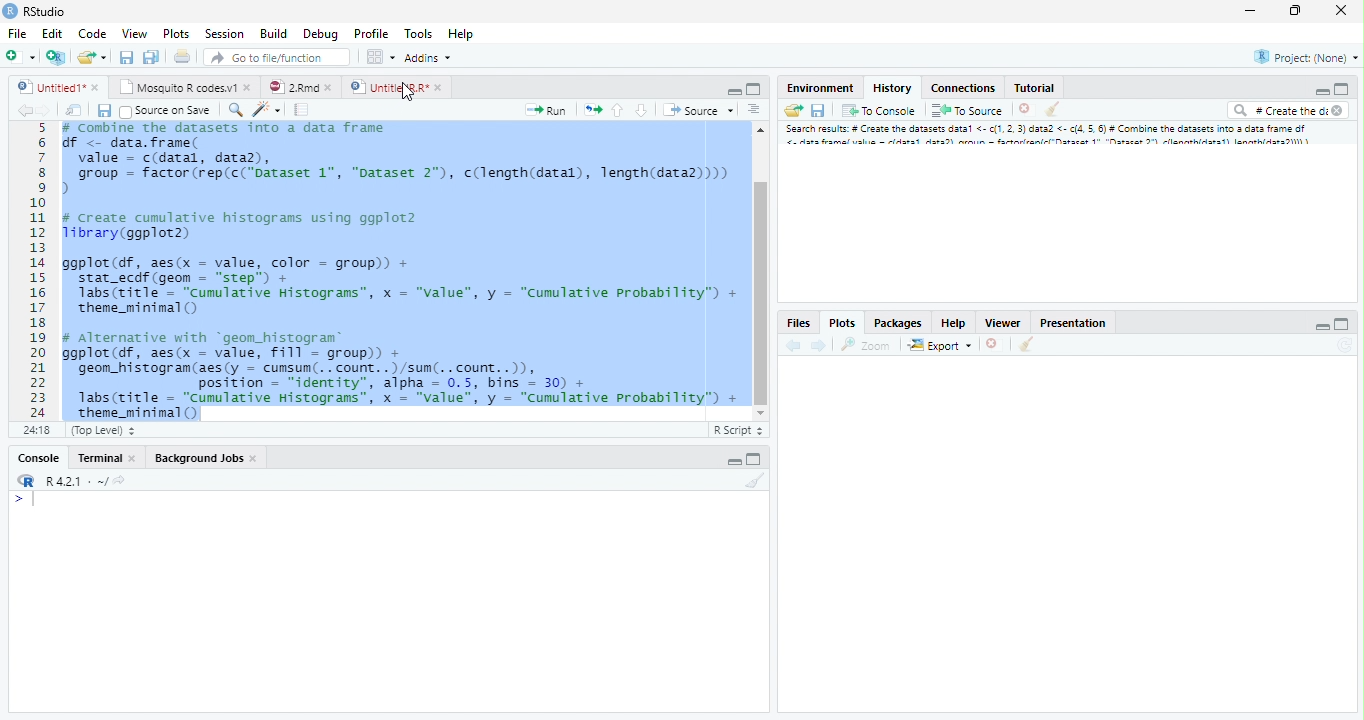 The height and width of the screenshot is (720, 1364). What do you see at coordinates (348, 34) in the screenshot?
I see `Debug` at bounding box center [348, 34].